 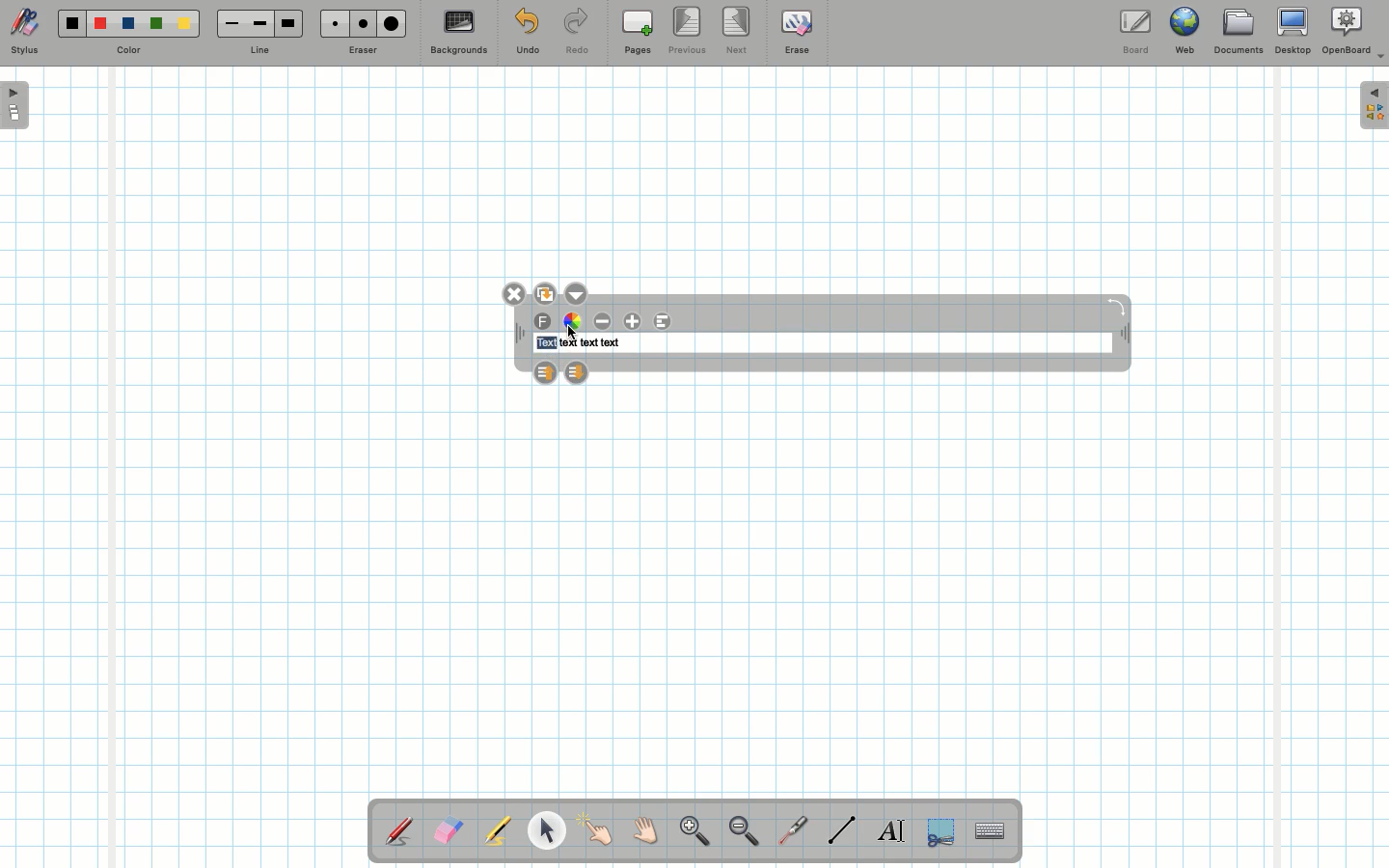 What do you see at coordinates (744, 832) in the screenshot?
I see `Zoom out` at bounding box center [744, 832].